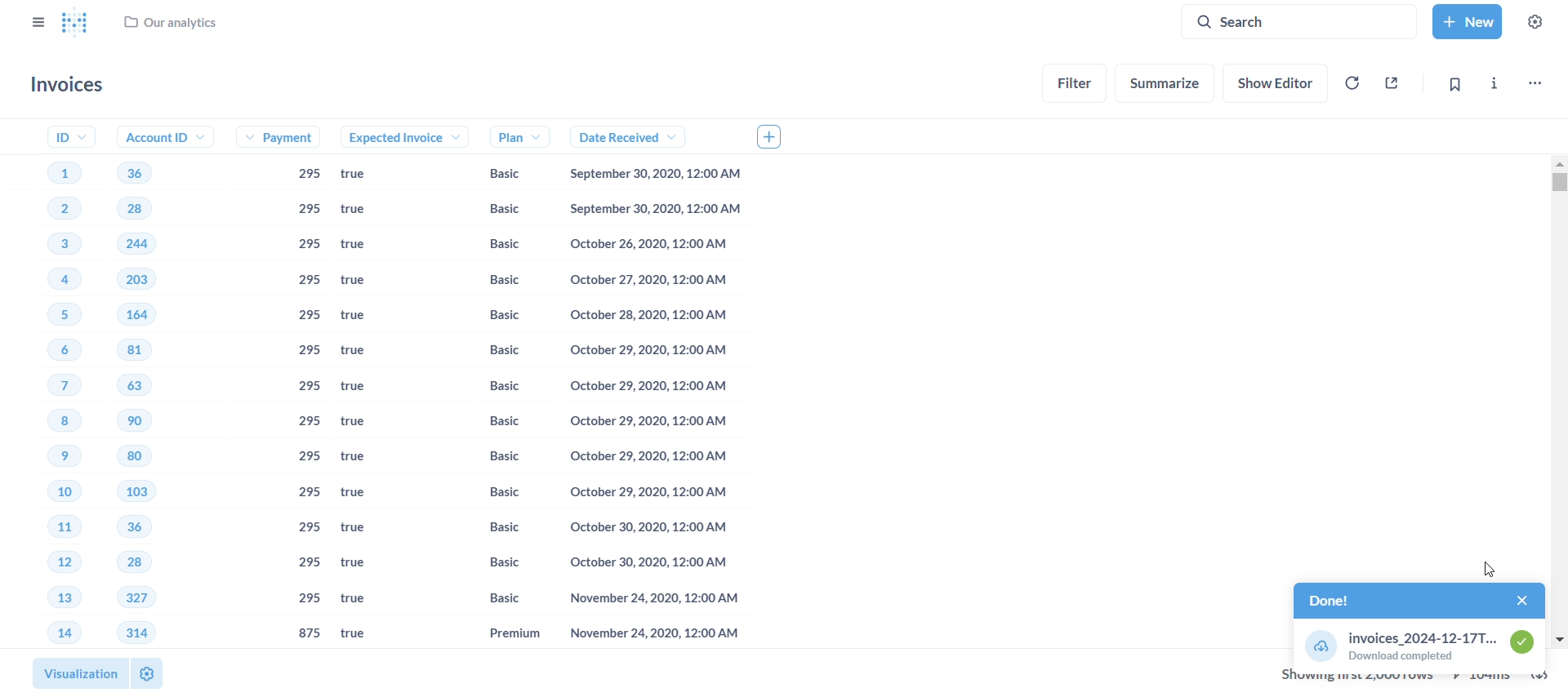 Image resolution: width=1568 pixels, height=697 pixels. Describe the element at coordinates (144, 279) in the screenshot. I see `203` at that location.